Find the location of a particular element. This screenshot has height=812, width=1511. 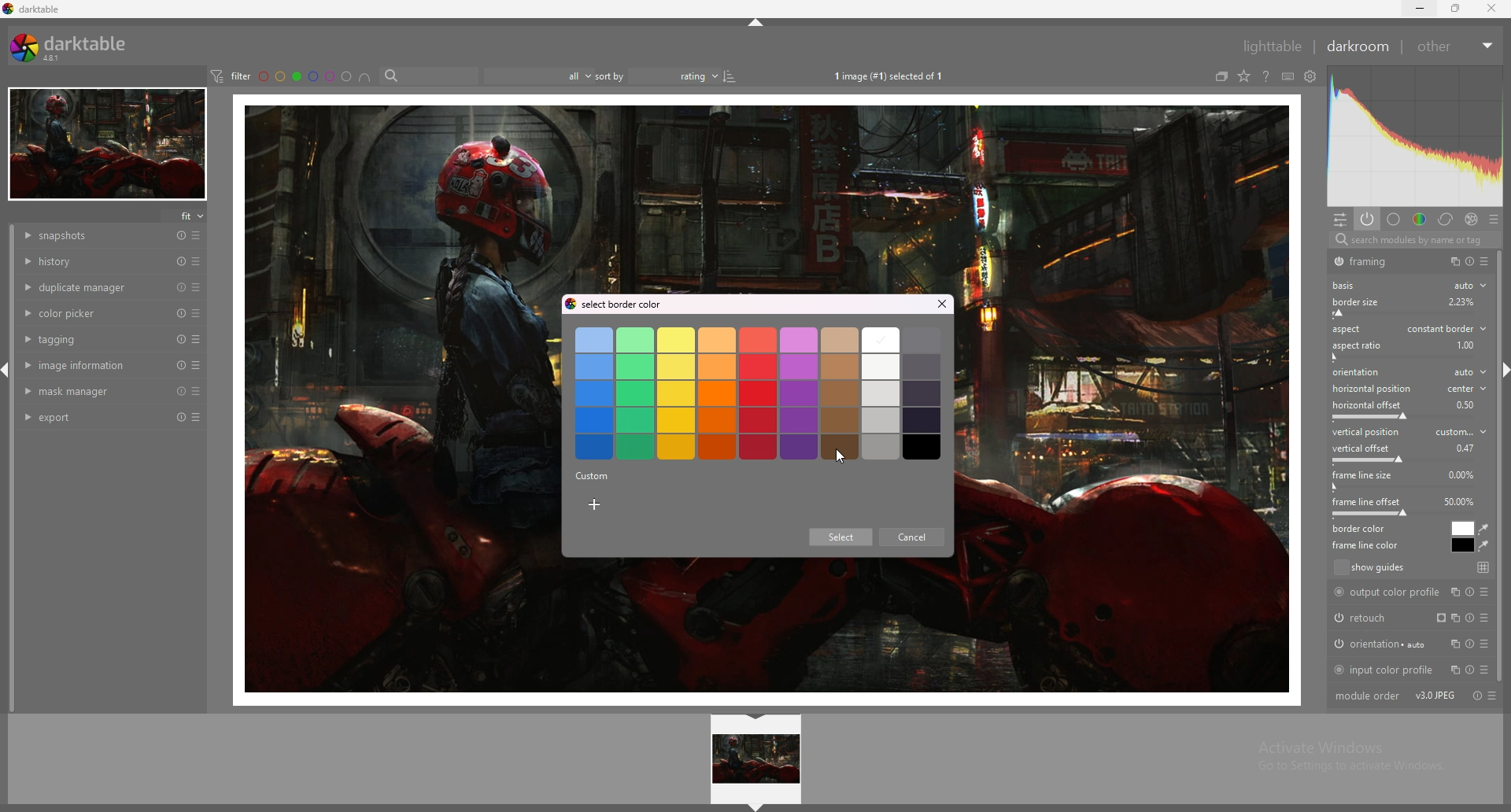

border size is located at coordinates (1378, 301).